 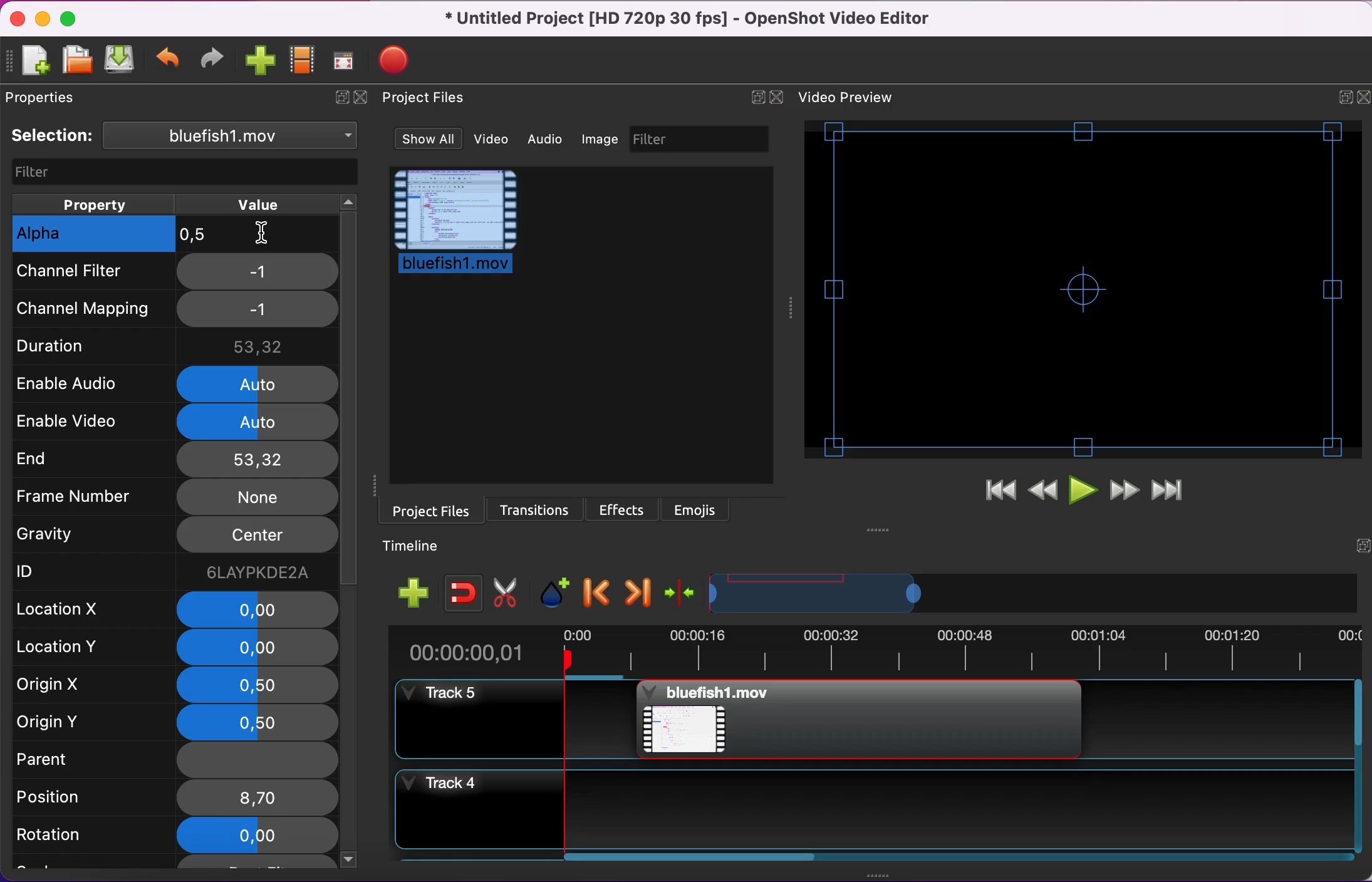 What do you see at coordinates (122, 60) in the screenshot?
I see `save project` at bounding box center [122, 60].